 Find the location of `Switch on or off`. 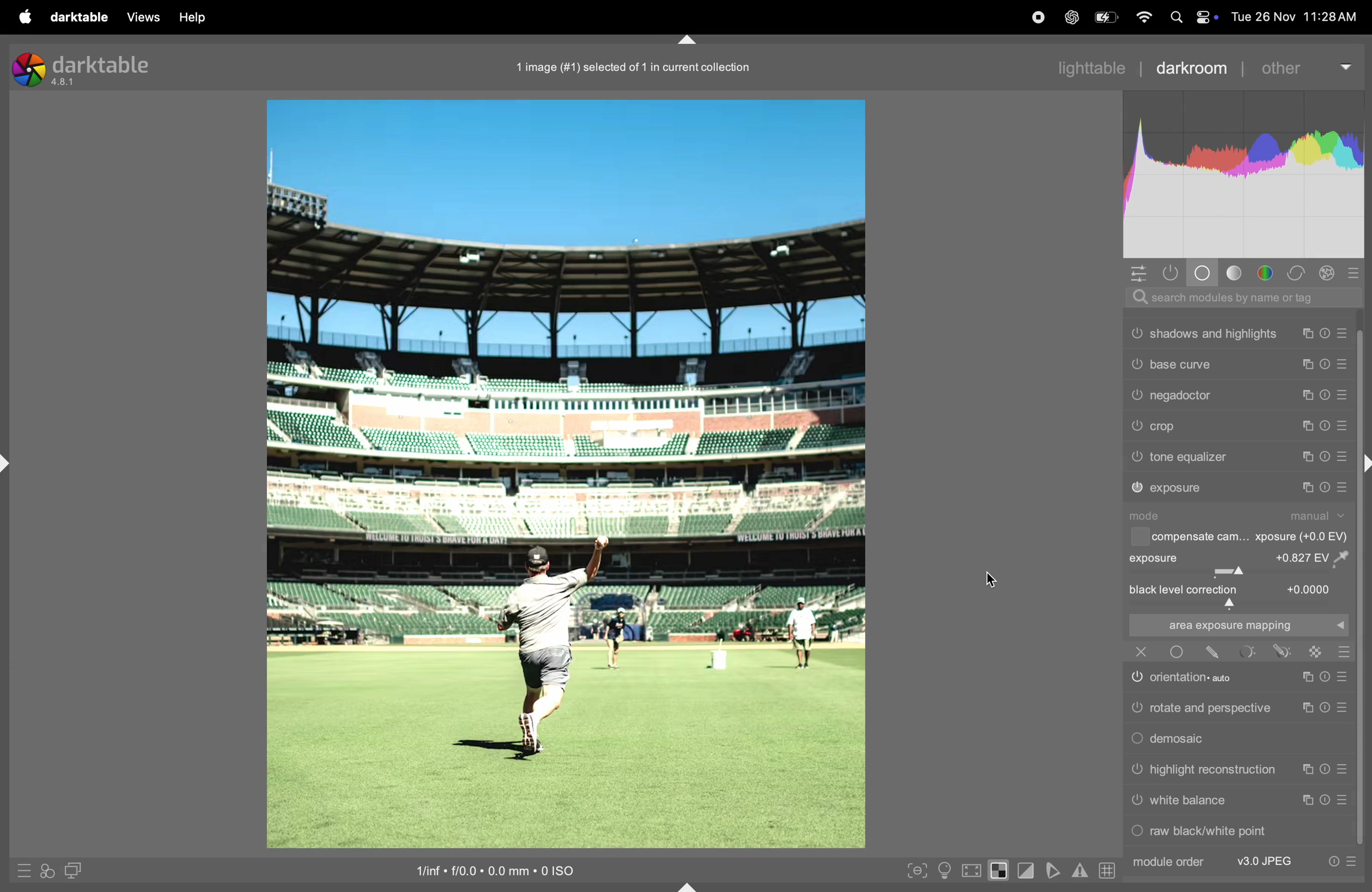

Switch on or off is located at coordinates (1176, 652).